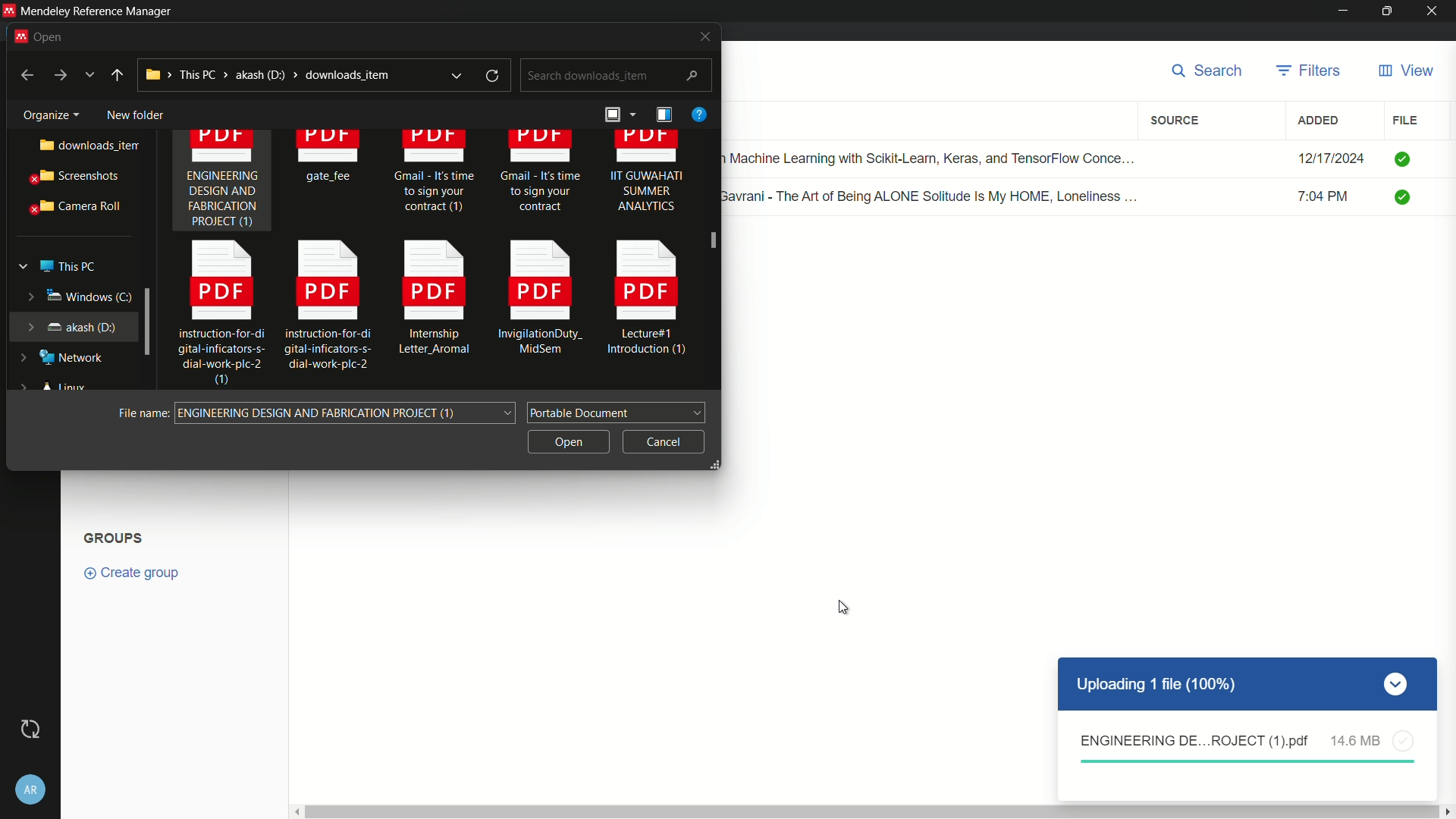 This screenshot has width=1456, height=819. Describe the element at coordinates (350, 413) in the screenshot. I see `file name: ENGINEERING DESIGN AND FABRICATION PROJECT (1)` at that location.